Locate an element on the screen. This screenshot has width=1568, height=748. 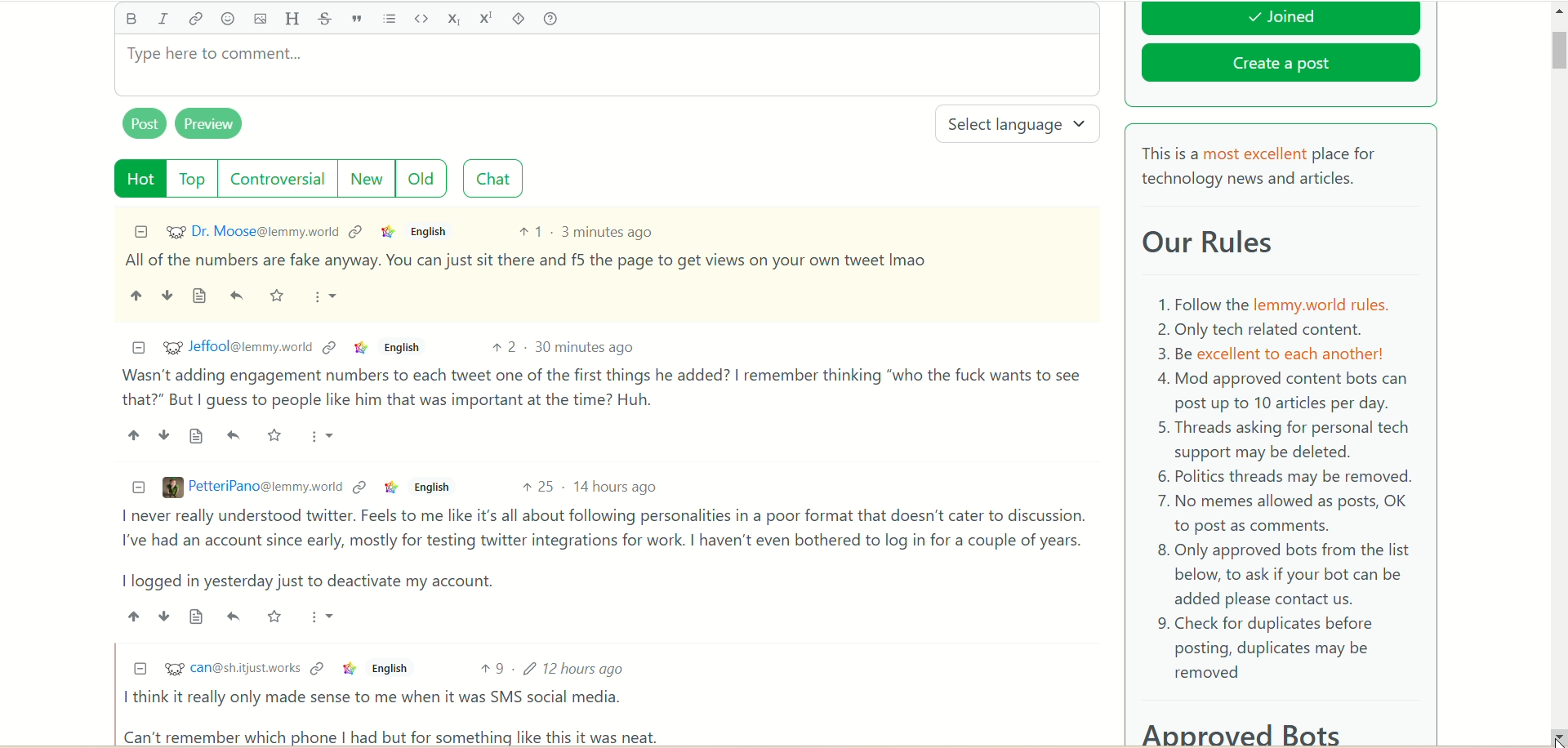
Downvote is located at coordinates (164, 617).